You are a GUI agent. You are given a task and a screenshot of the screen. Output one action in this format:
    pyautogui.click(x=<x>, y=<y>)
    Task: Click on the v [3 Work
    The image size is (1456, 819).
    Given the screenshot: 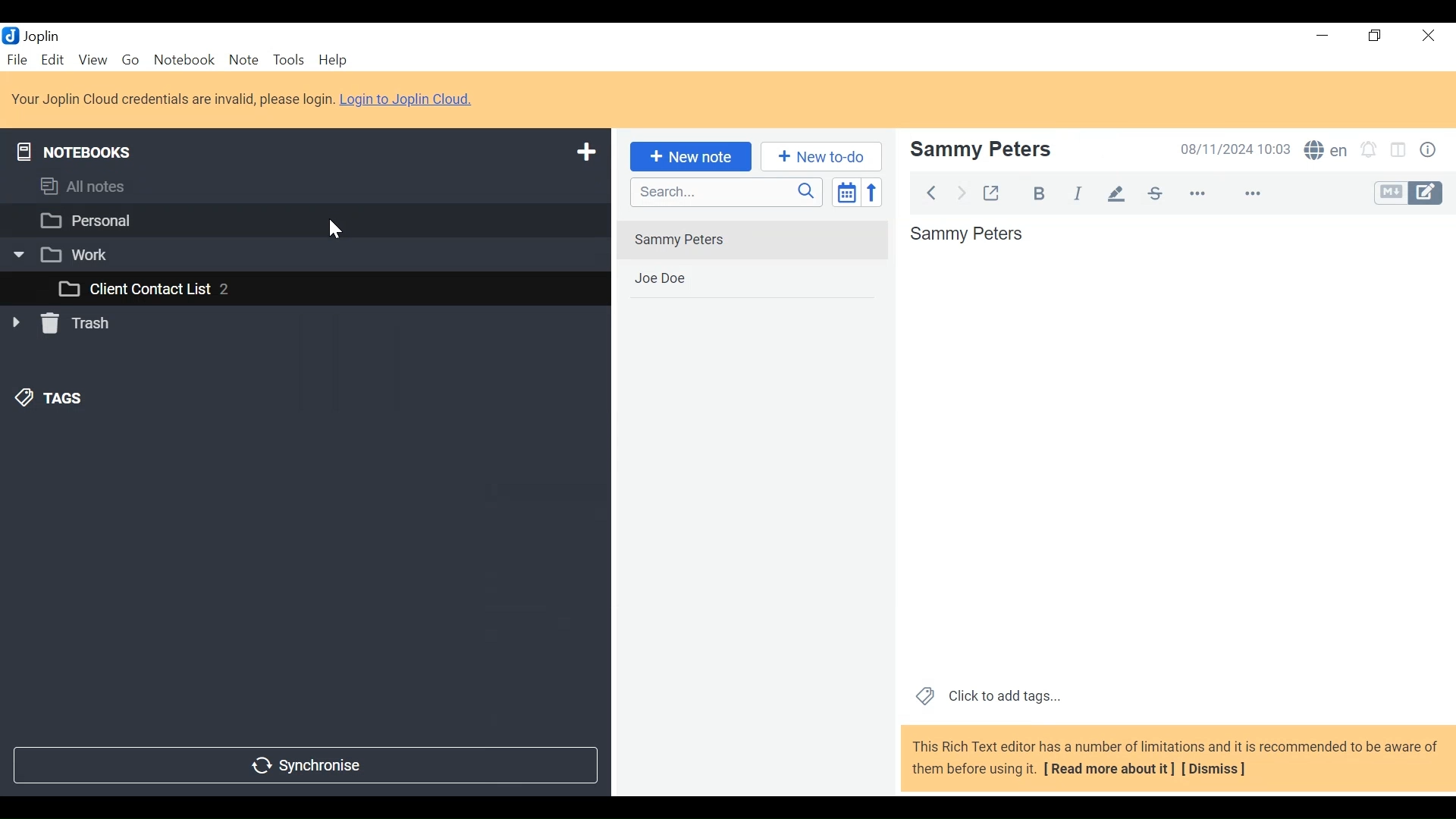 What is the action you would take?
    pyautogui.click(x=61, y=253)
    